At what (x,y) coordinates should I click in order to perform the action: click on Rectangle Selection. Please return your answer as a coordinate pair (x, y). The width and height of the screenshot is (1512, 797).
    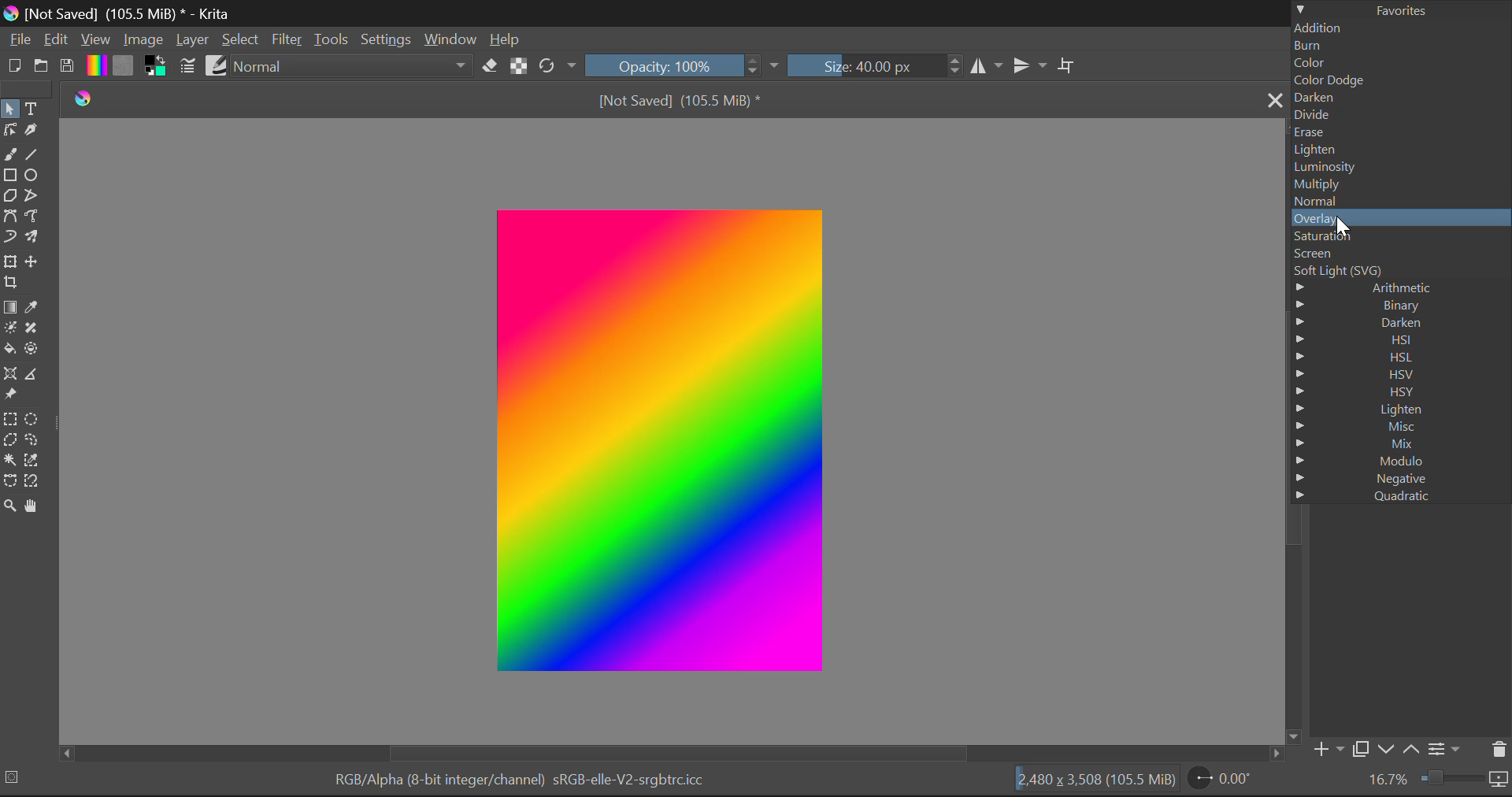
    Looking at the image, I should click on (11, 419).